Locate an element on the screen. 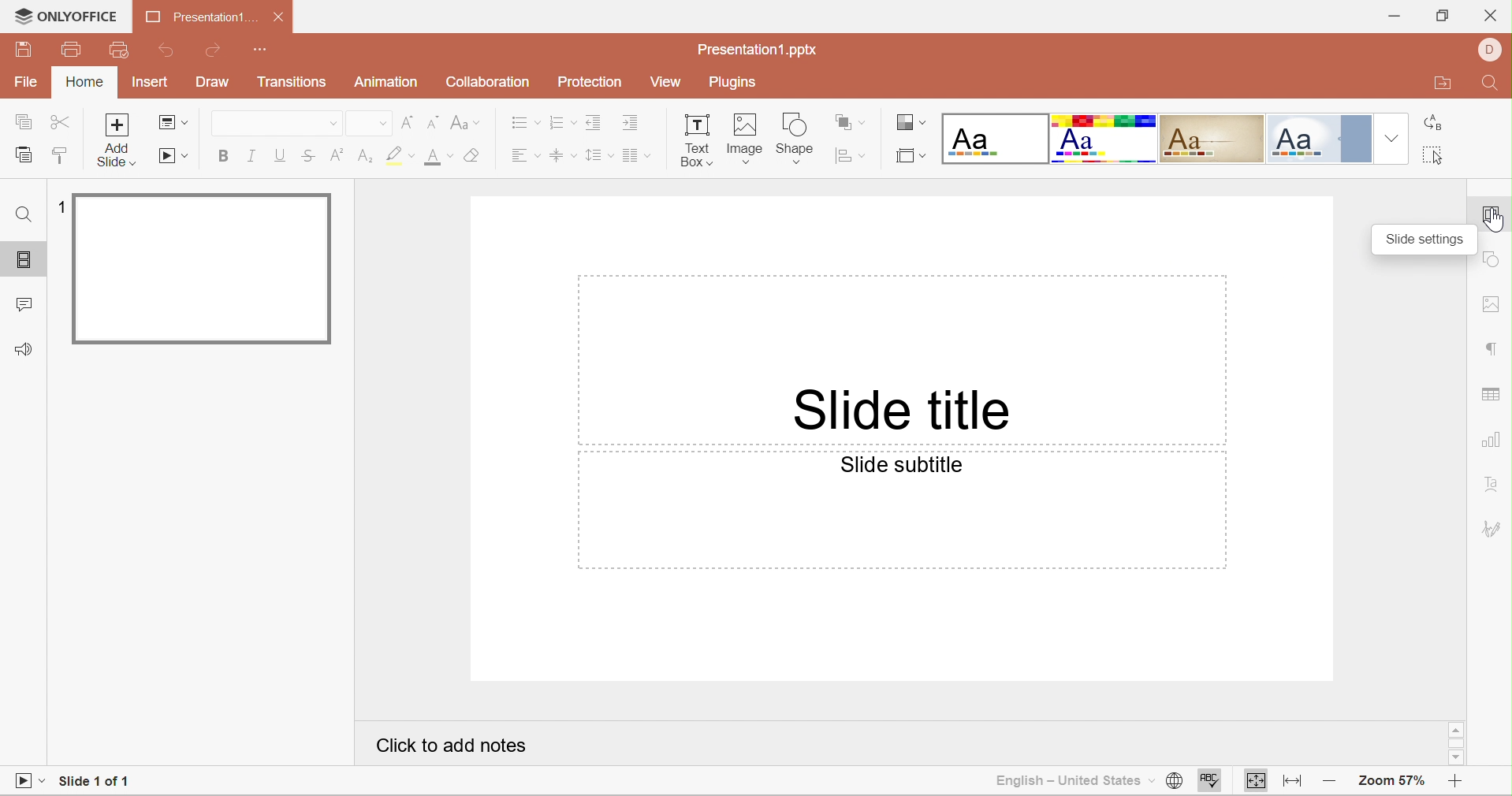 This screenshot has width=1512, height=796. Presentation1.pptx is located at coordinates (758, 49).